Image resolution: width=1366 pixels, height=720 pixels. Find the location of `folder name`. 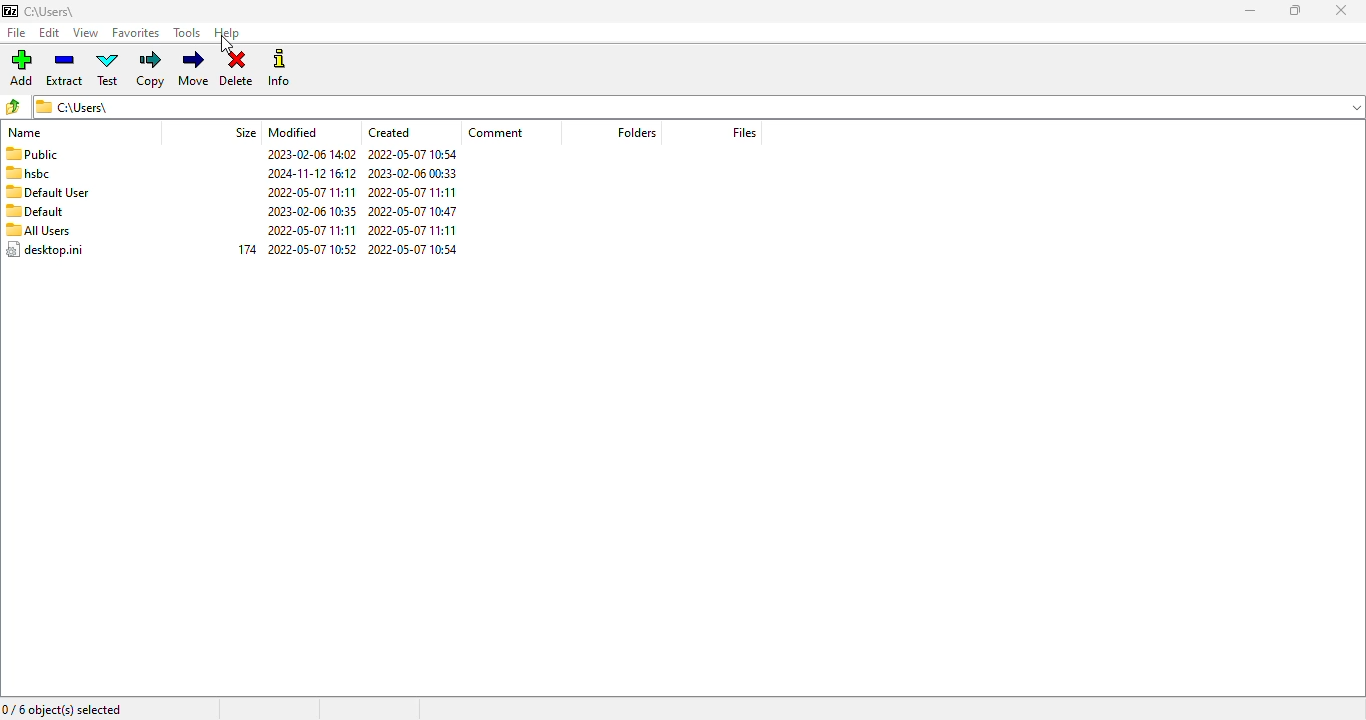

folder name is located at coordinates (51, 11).